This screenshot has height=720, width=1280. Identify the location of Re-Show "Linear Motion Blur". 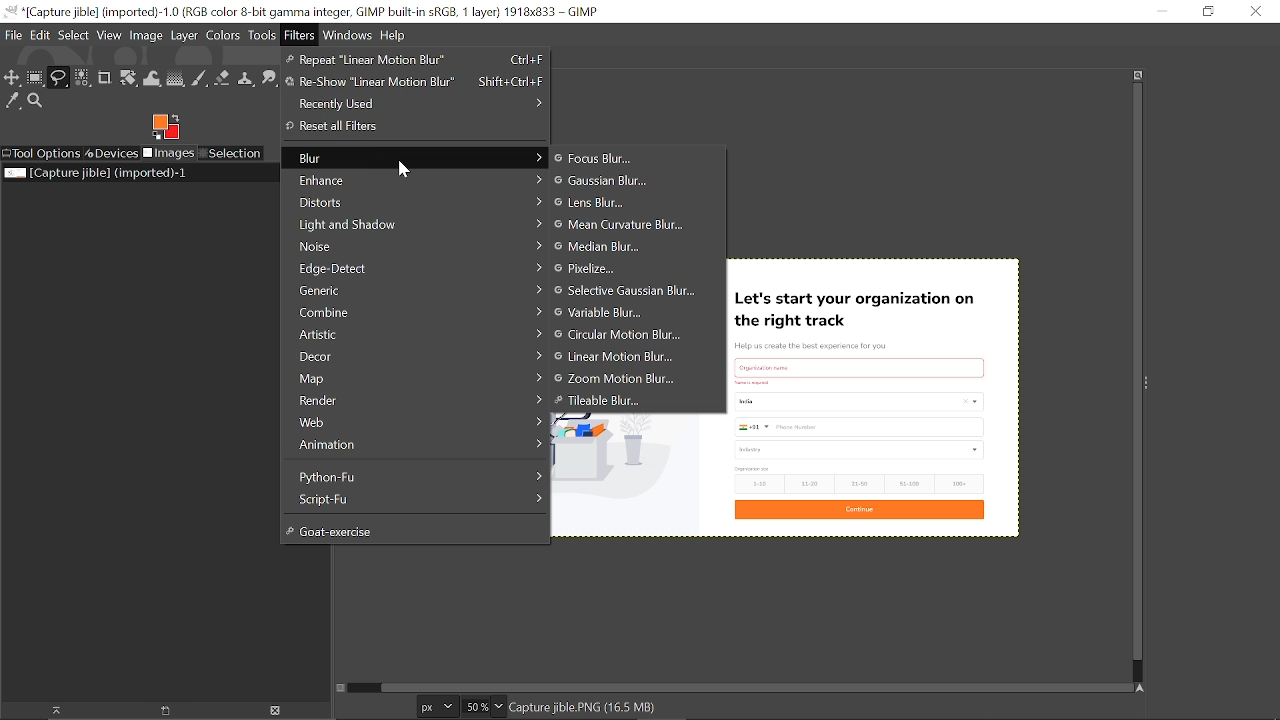
(413, 81).